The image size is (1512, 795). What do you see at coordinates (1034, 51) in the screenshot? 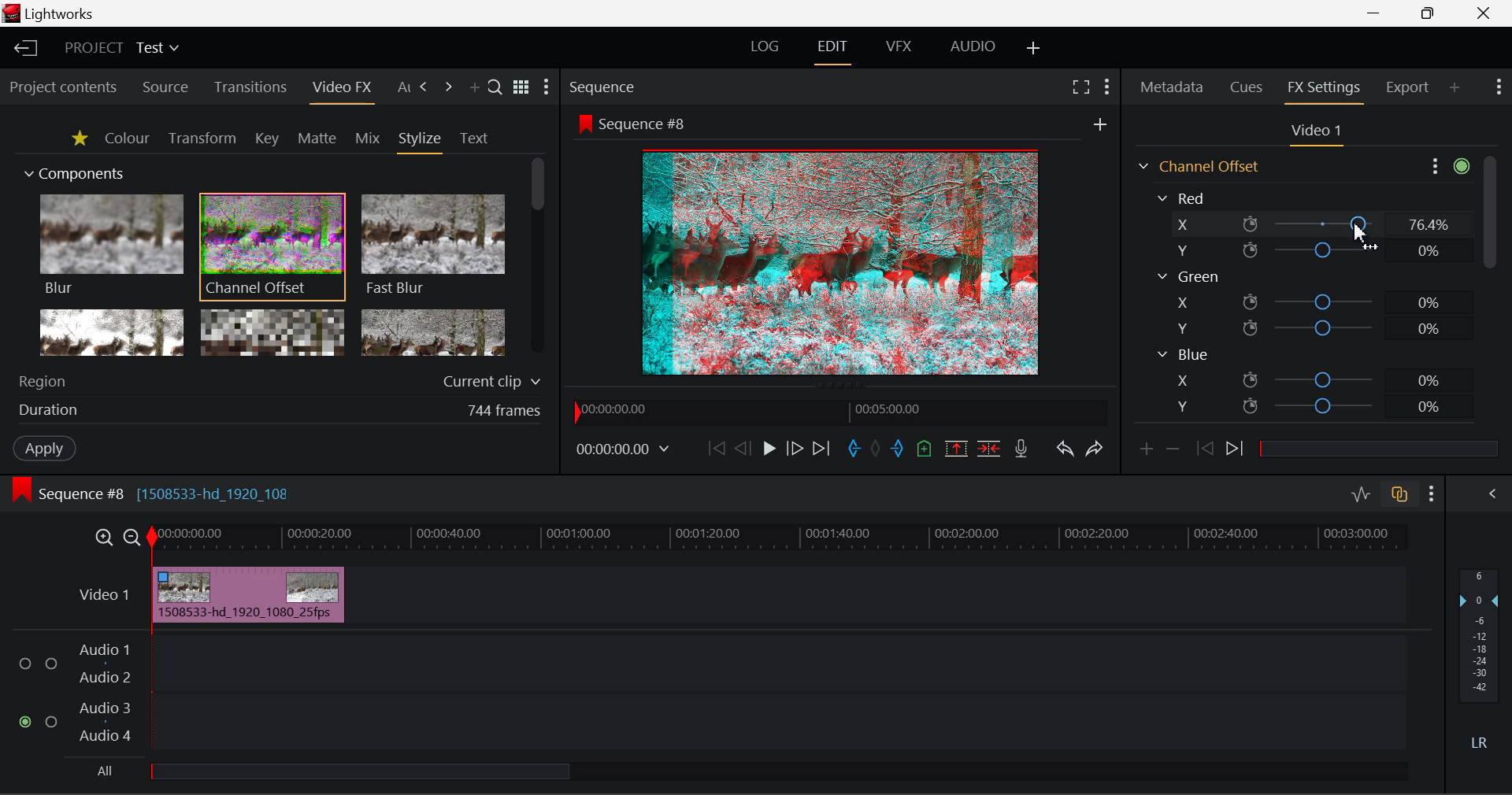
I see `Add Layout` at bounding box center [1034, 51].